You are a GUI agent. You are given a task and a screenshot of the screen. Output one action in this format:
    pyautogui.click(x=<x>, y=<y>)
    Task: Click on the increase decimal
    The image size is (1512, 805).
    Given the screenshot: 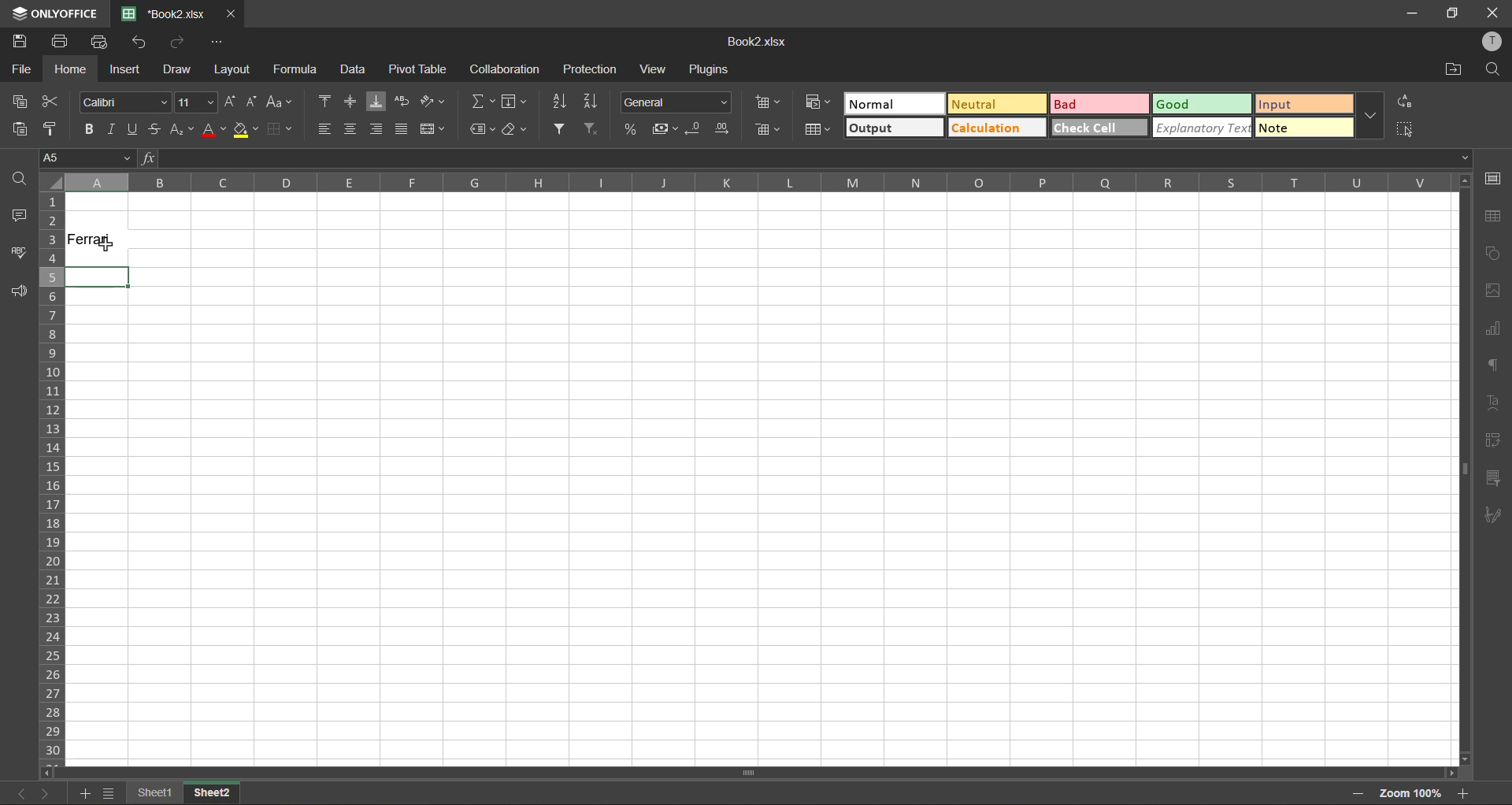 What is the action you would take?
    pyautogui.click(x=727, y=130)
    